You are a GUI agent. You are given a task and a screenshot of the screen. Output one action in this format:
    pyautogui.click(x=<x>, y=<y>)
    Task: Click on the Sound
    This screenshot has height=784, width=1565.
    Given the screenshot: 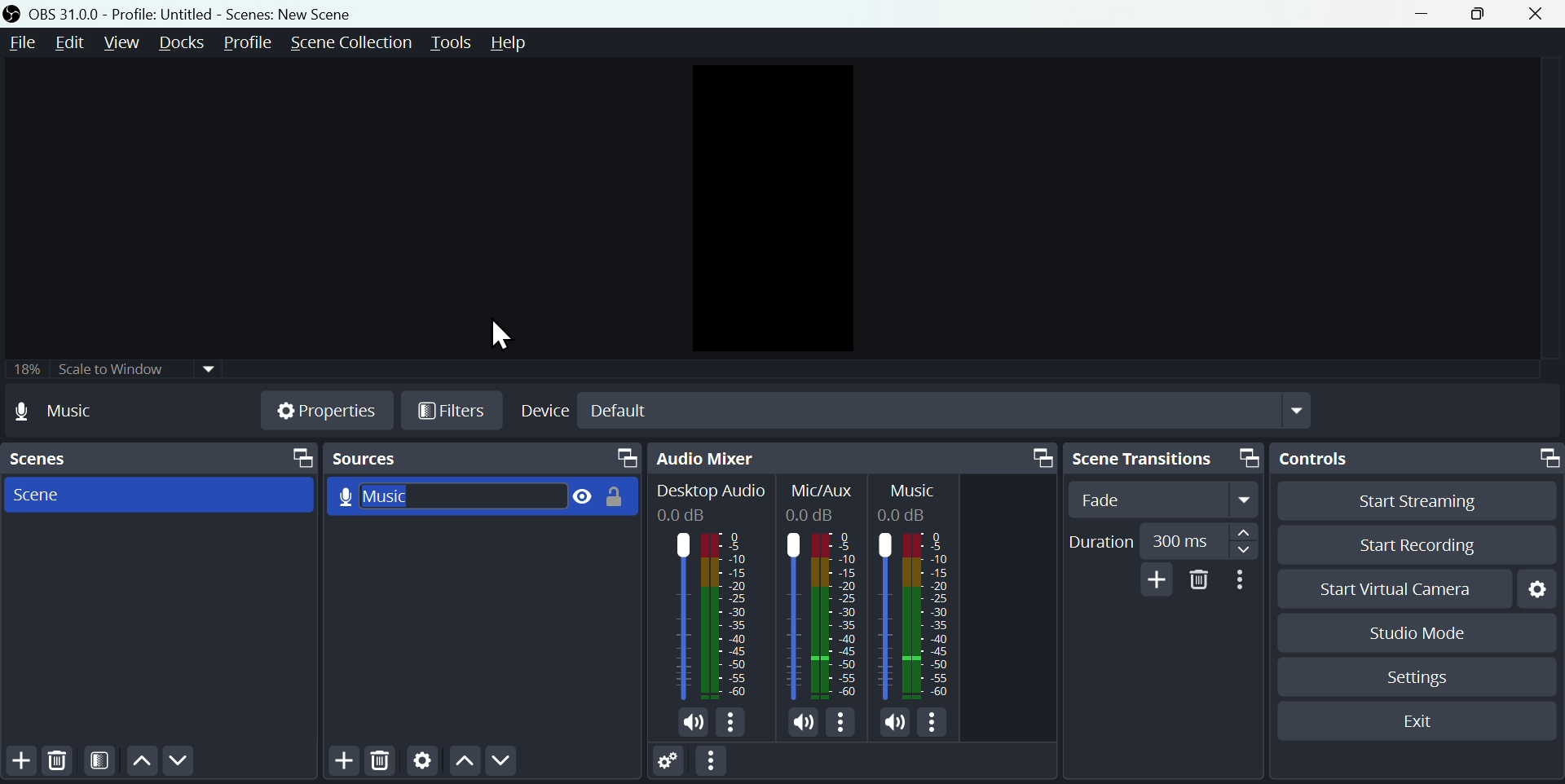 What is the action you would take?
    pyautogui.click(x=689, y=724)
    